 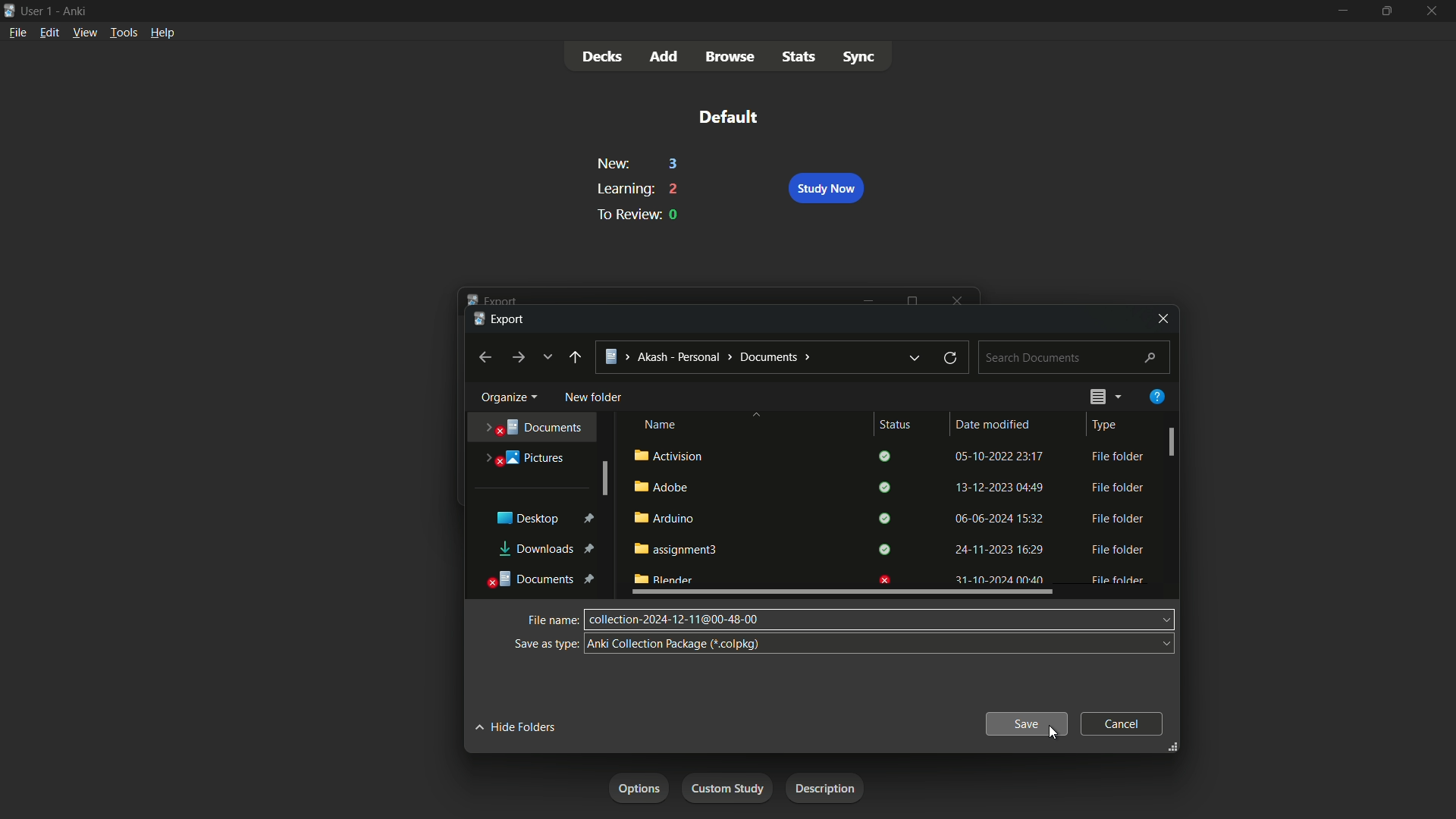 I want to click on folder-1, so click(x=886, y=457).